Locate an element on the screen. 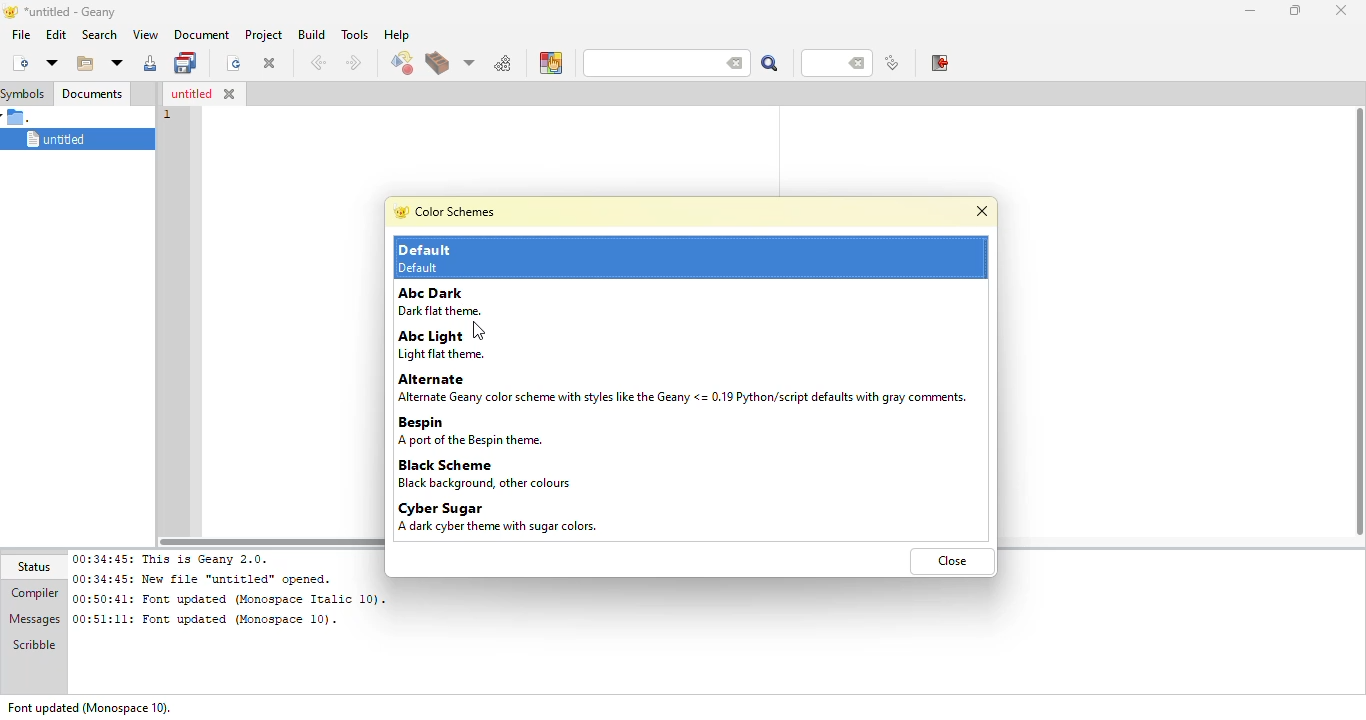  Cyber Sugar A dark cyber theme with sugar colors. is located at coordinates (496, 518).